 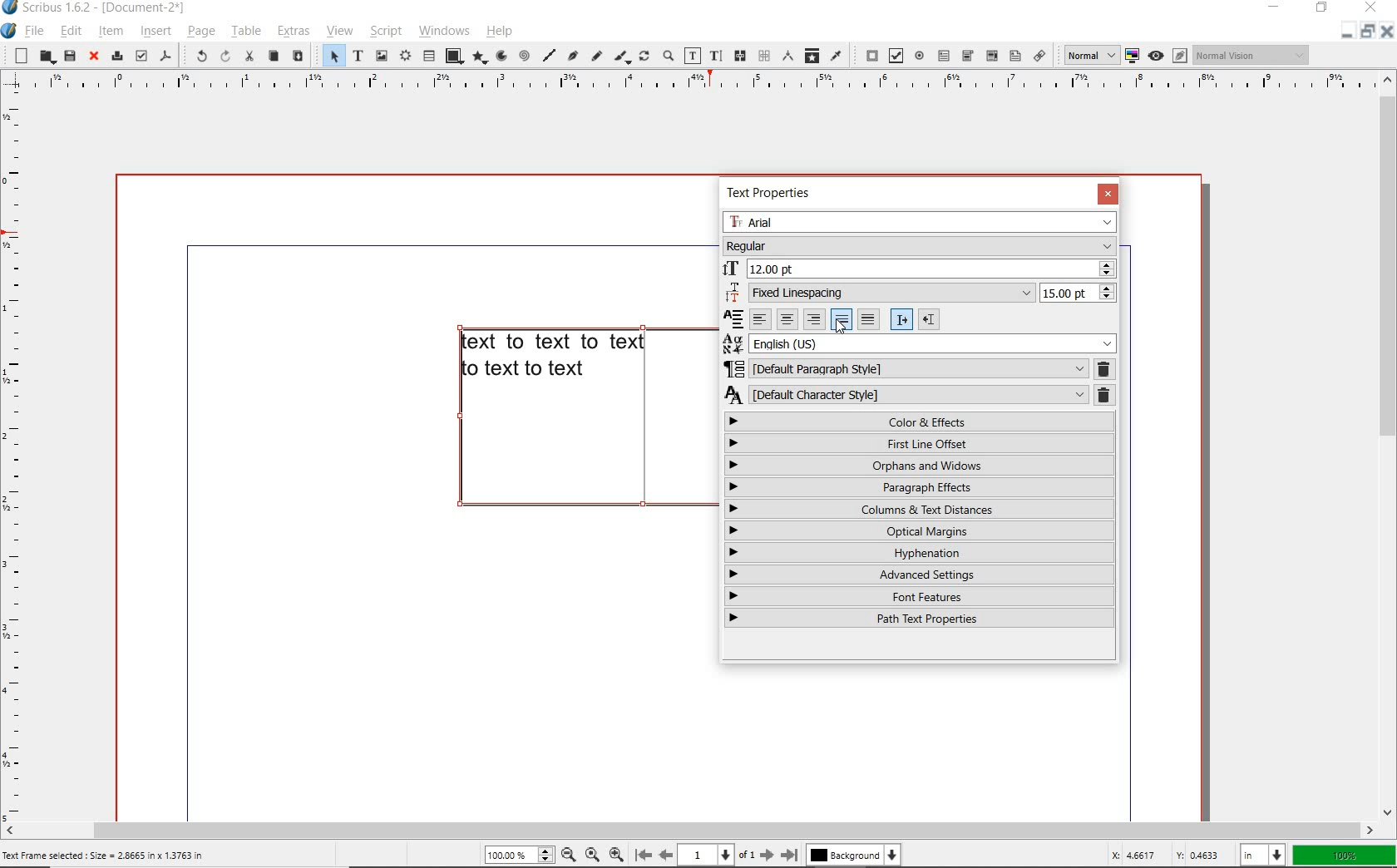 What do you see at coordinates (944, 56) in the screenshot?
I see `pdf text field` at bounding box center [944, 56].